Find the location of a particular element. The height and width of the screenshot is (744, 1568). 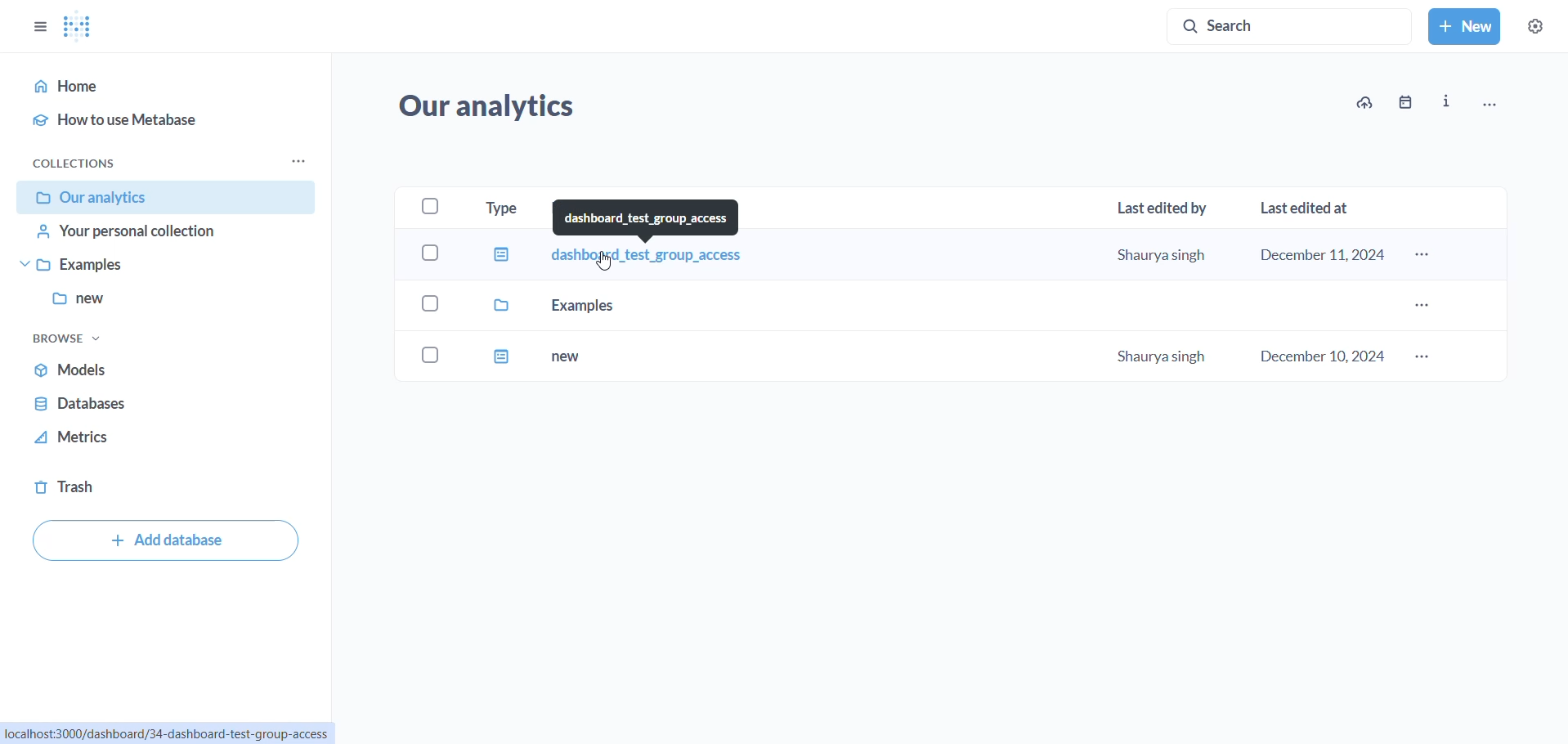

cursor is located at coordinates (604, 259).